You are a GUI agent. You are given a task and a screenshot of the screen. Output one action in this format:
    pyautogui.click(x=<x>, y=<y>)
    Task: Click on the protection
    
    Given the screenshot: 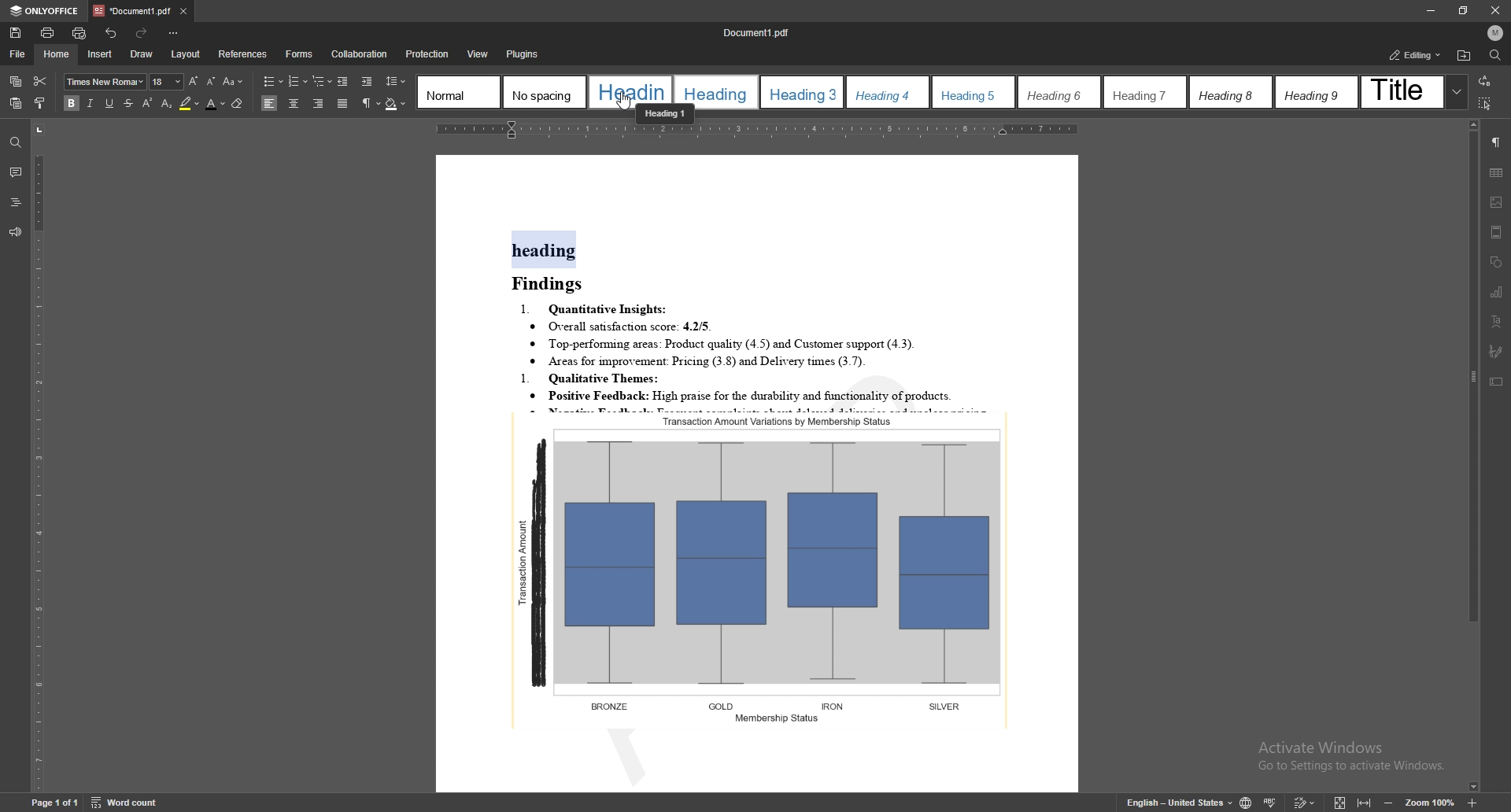 What is the action you would take?
    pyautogui.click(x=428, y=54)
    